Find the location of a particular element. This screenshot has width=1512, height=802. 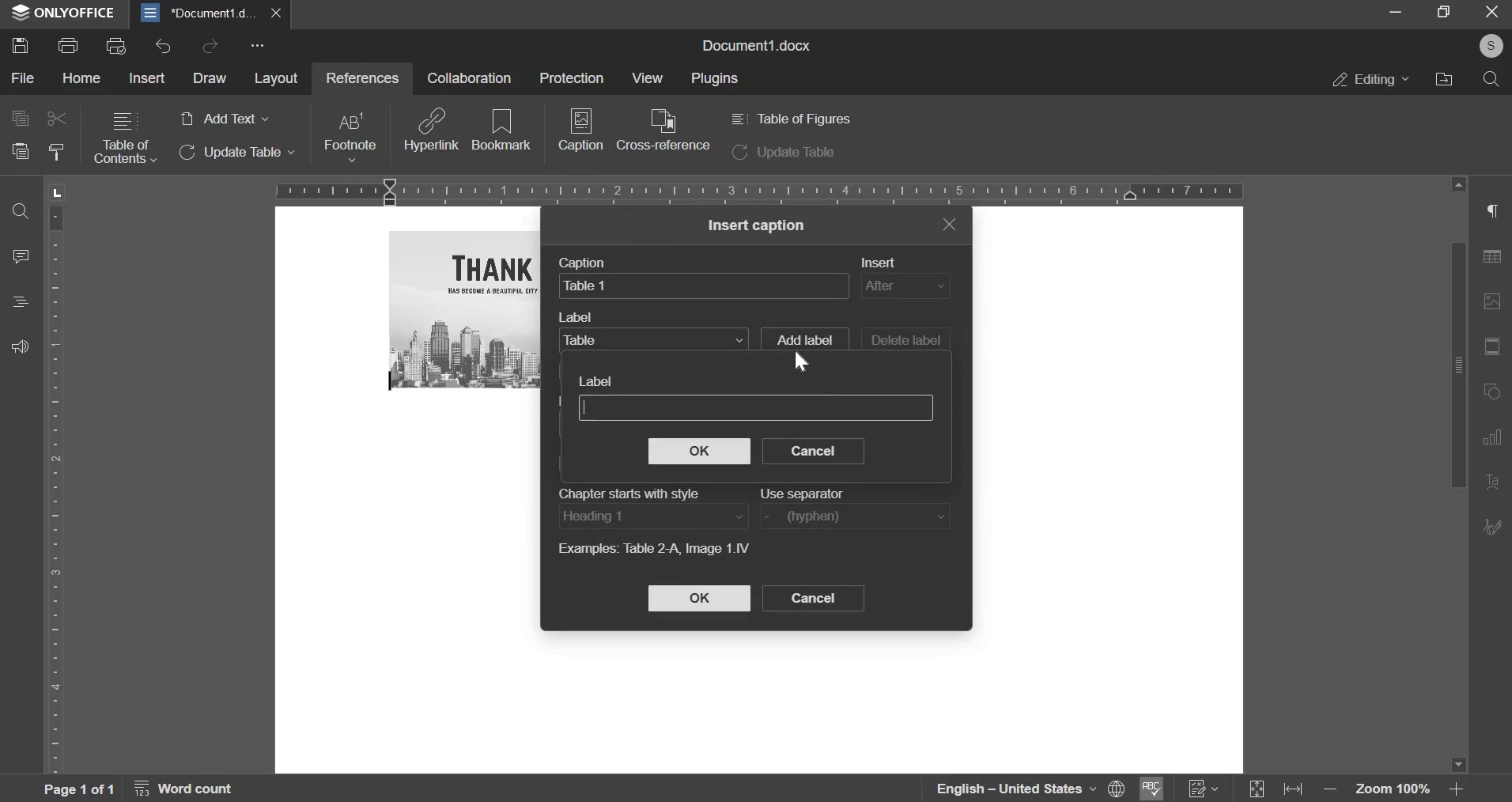

footnote is located at coordinates (349, 137).